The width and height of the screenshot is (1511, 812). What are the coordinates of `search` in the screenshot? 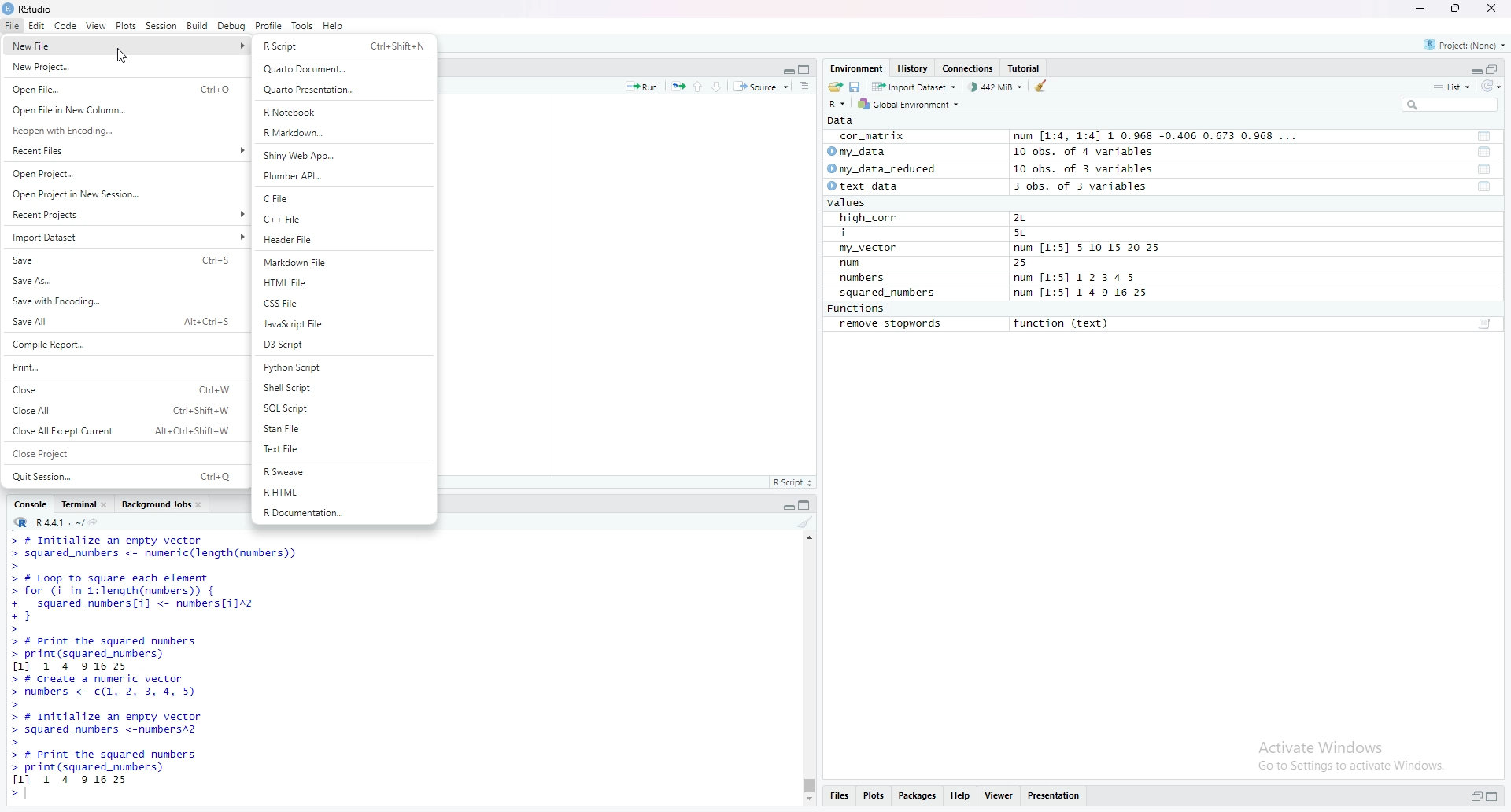 It's located at (1453, 105).